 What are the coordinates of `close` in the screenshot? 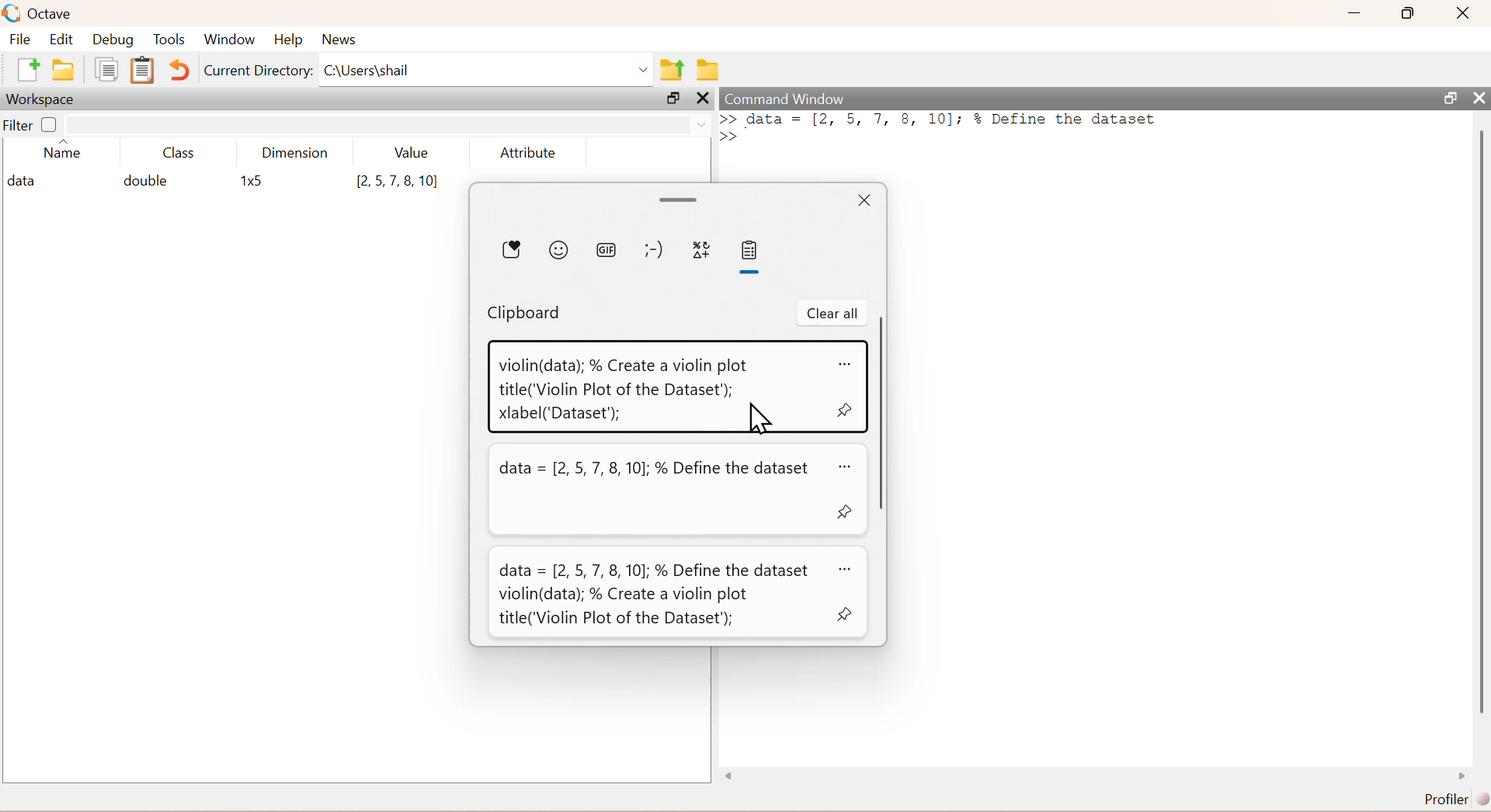 It's located at (1465, 12).